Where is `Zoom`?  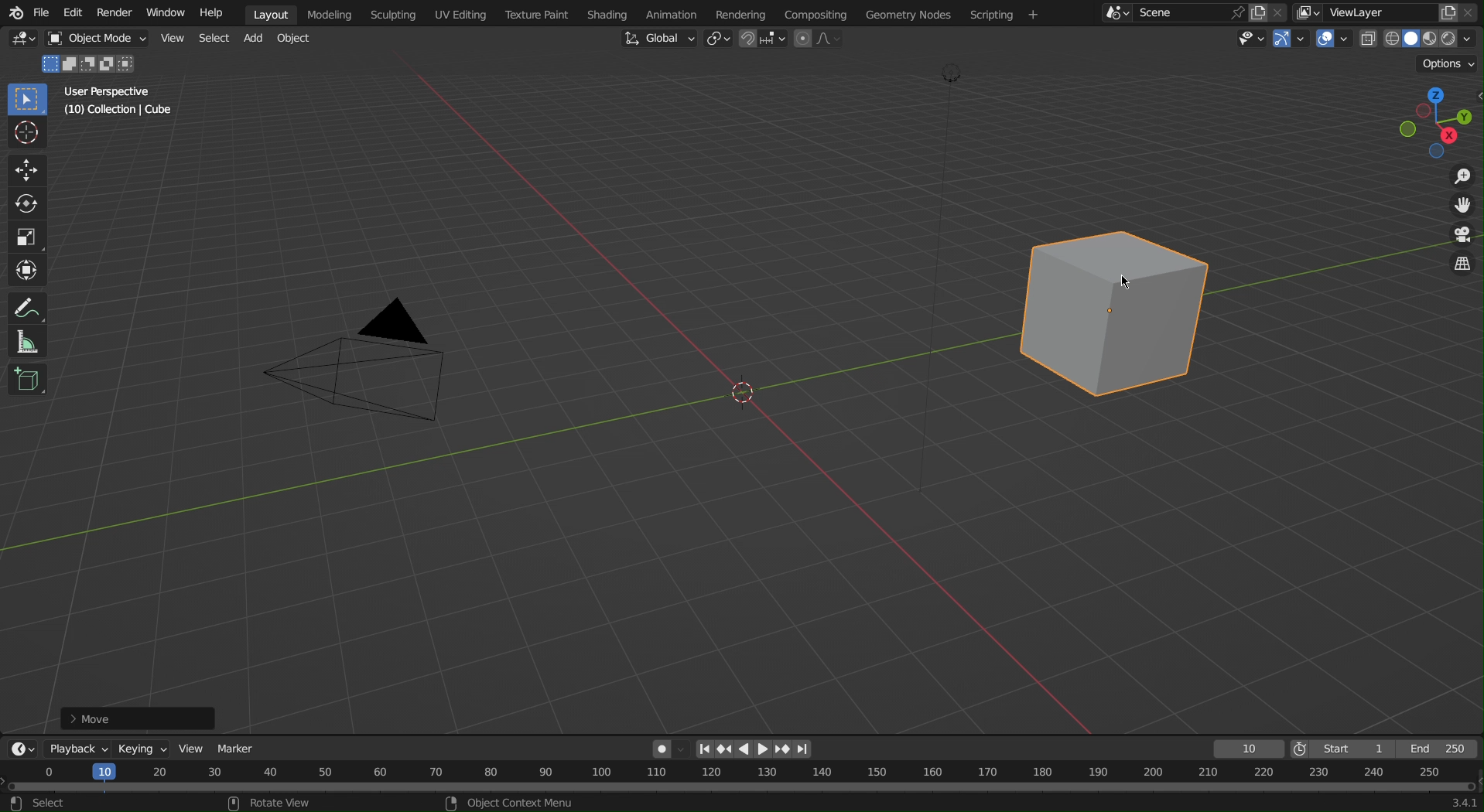 Zoom is located at coordinates (1455, 179).